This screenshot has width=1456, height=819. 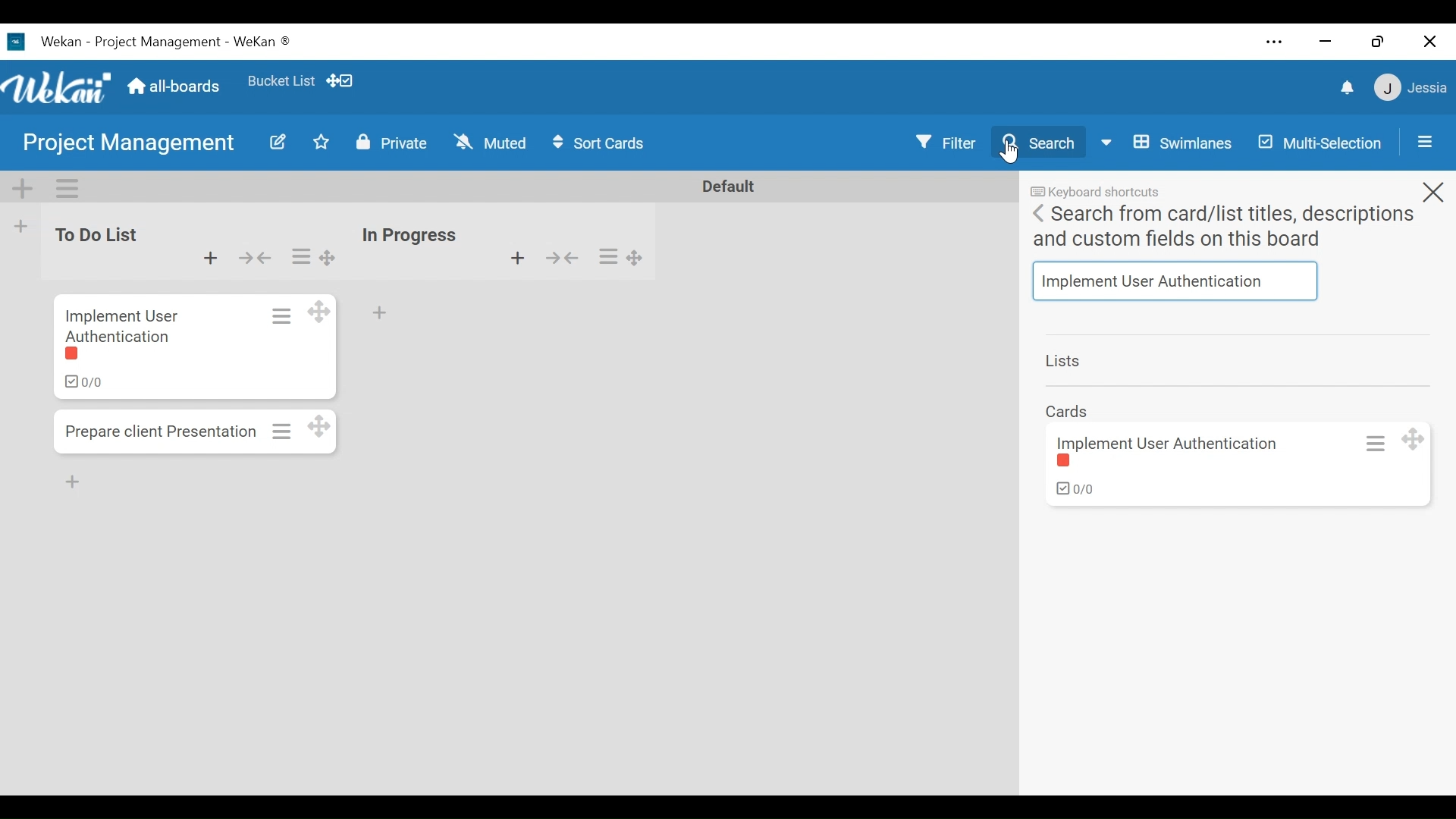 What do you see at coordinates (1040, 142) in the screenshot?
I see `Search` at bounding box center [1040, 142].